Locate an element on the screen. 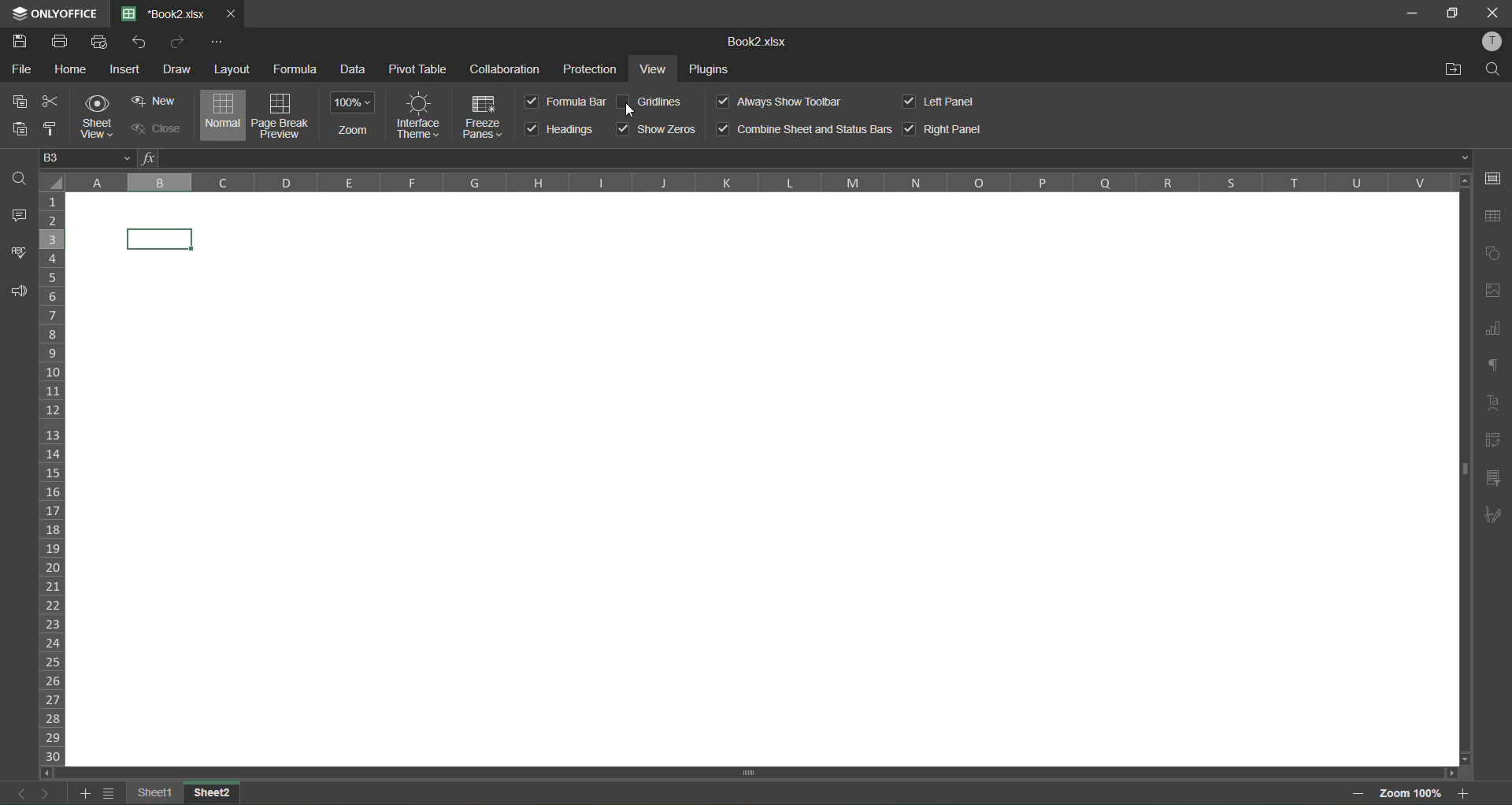 The height and width of the screenshot is (805, 1512). zoom factor is located at coordinates (1412, 793).